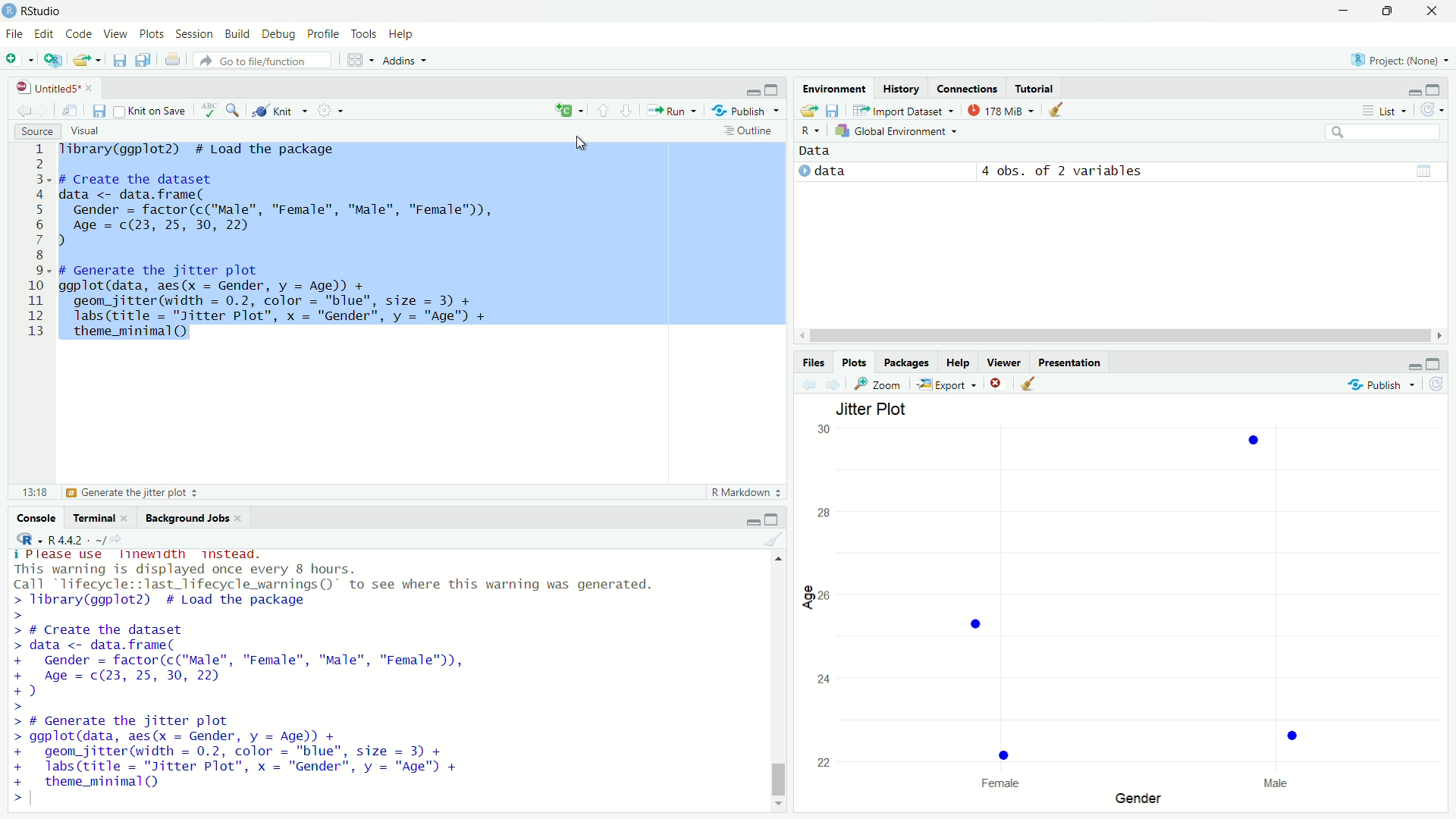 The width and height of the screenshot is (1456, 819). I want to click on tutorial, so click(1039, 88).